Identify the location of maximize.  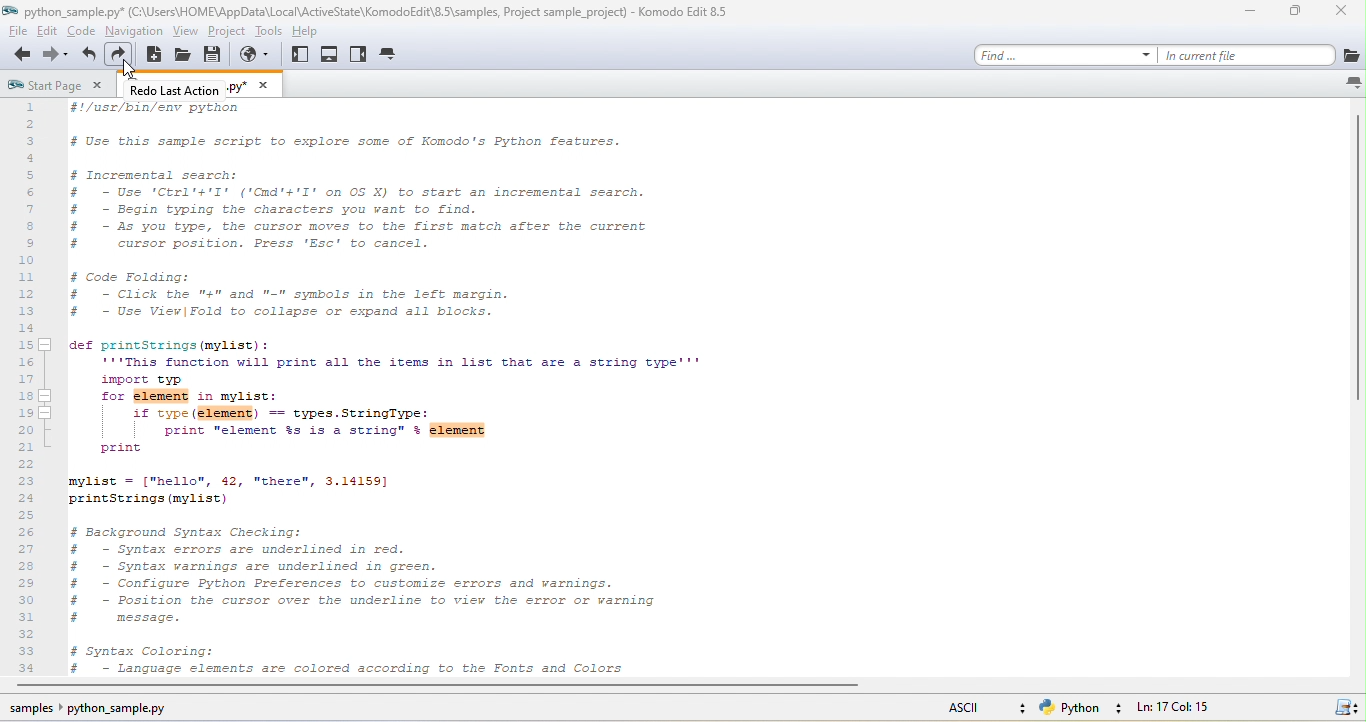
(1298, 12).